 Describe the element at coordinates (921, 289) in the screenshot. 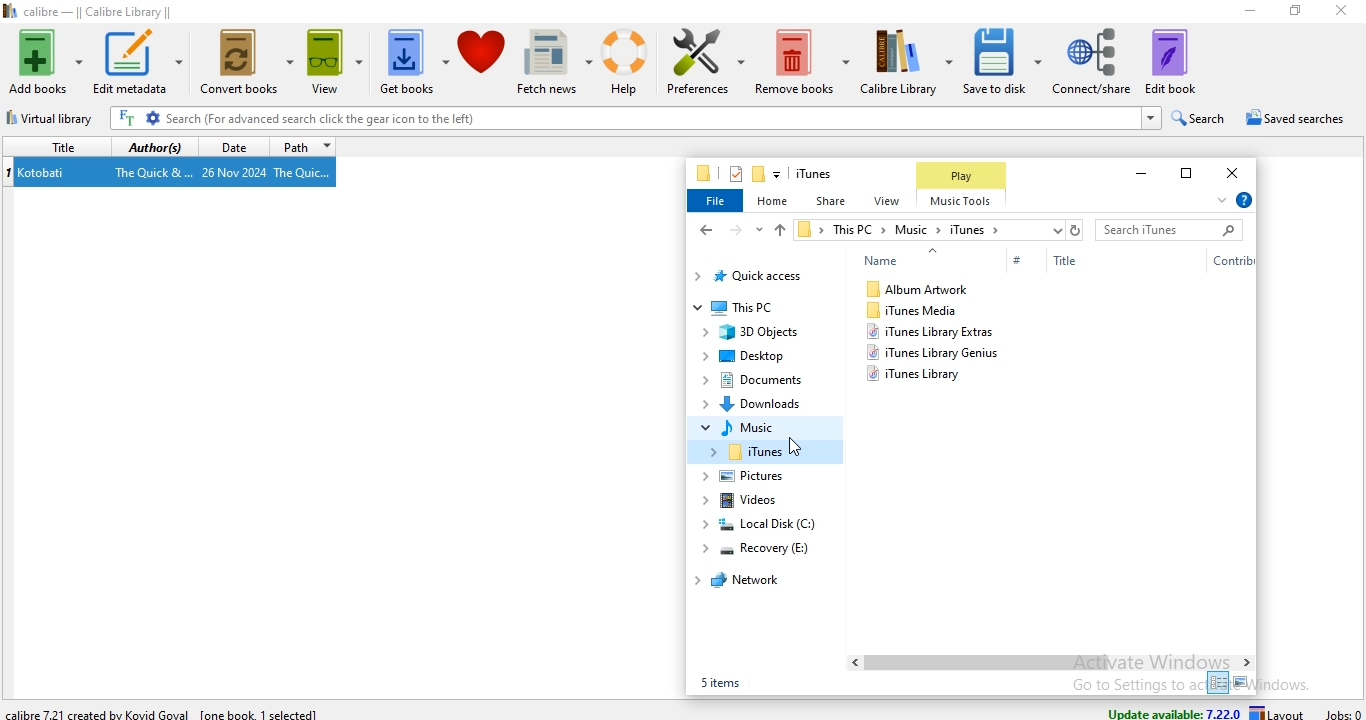

I see `album artwork` at that location.